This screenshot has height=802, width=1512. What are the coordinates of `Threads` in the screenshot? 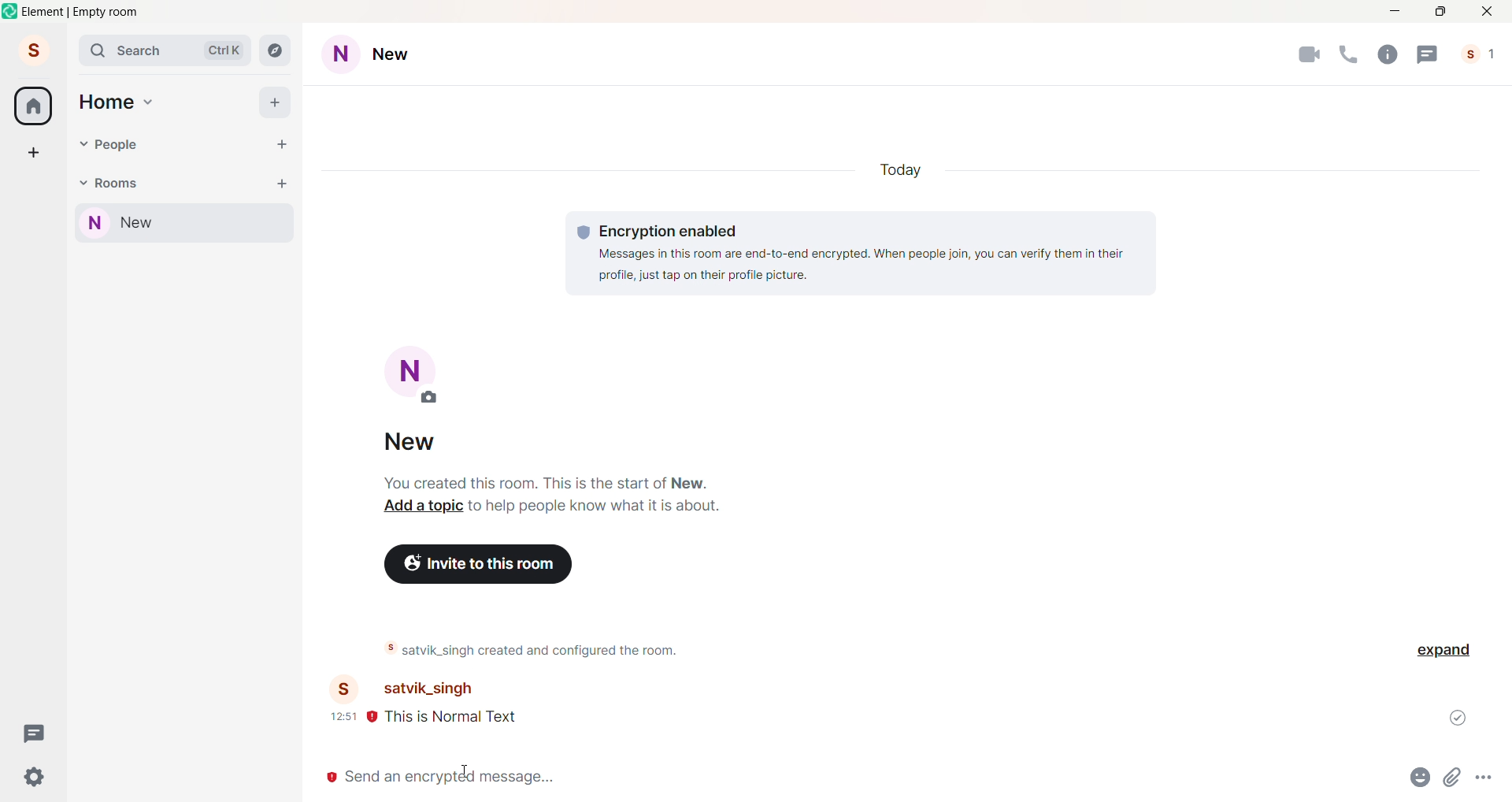 It's located at (36, 733).